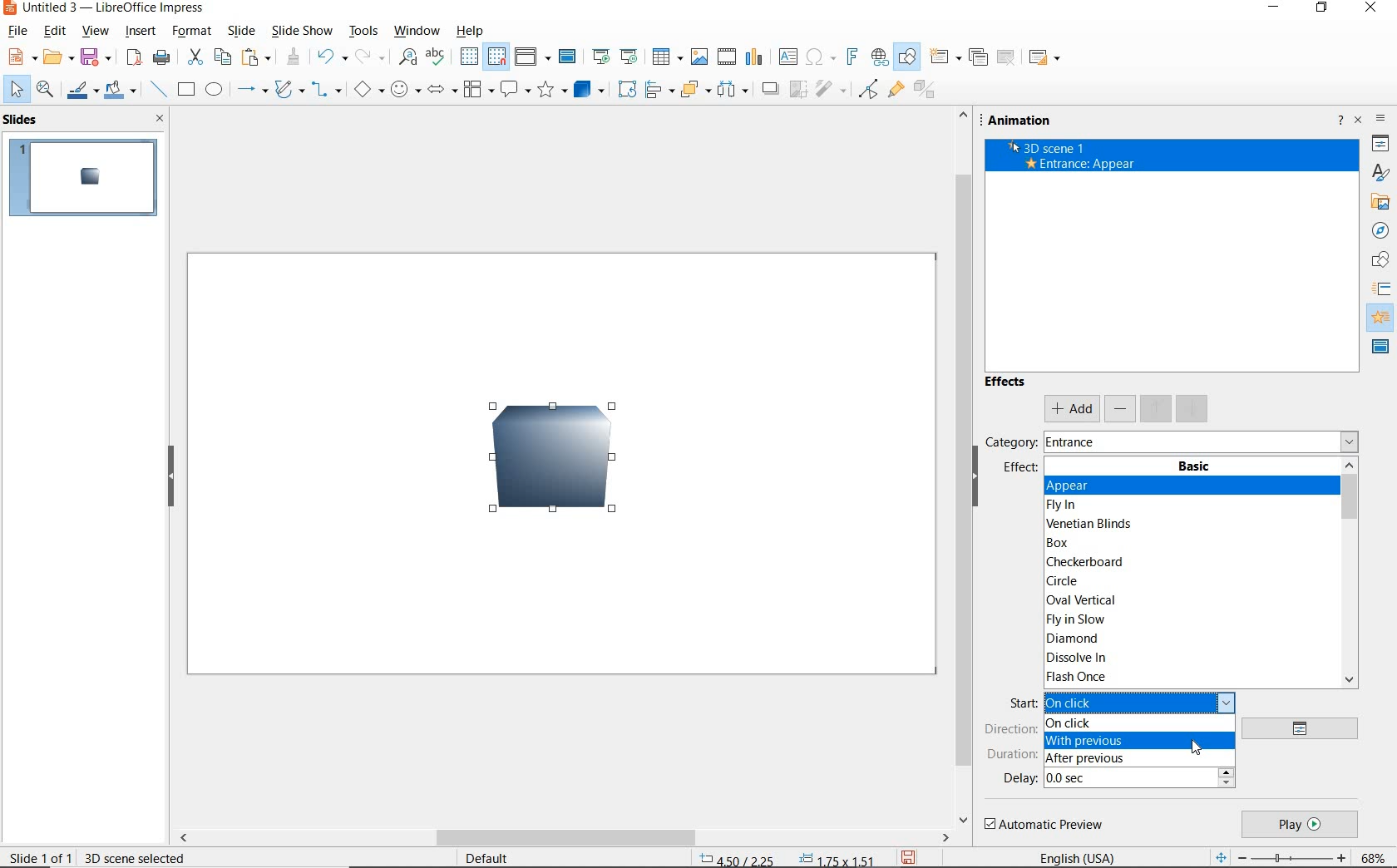  Describe the element at coordinates (1046, 58) in the screenshot. I see `slide layout` at that location.